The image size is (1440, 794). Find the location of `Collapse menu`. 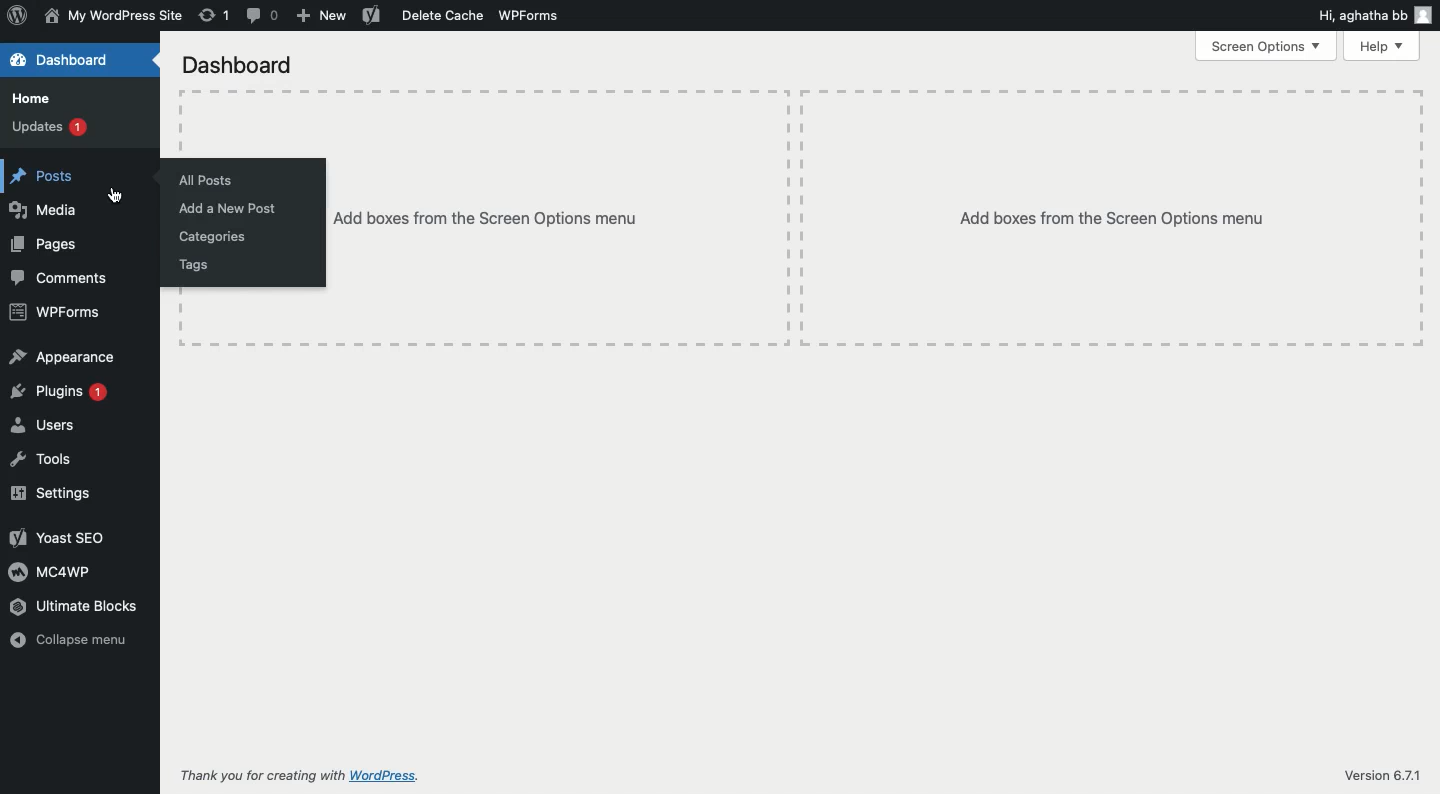

Collapse menu is located at coordinates (74, 640).